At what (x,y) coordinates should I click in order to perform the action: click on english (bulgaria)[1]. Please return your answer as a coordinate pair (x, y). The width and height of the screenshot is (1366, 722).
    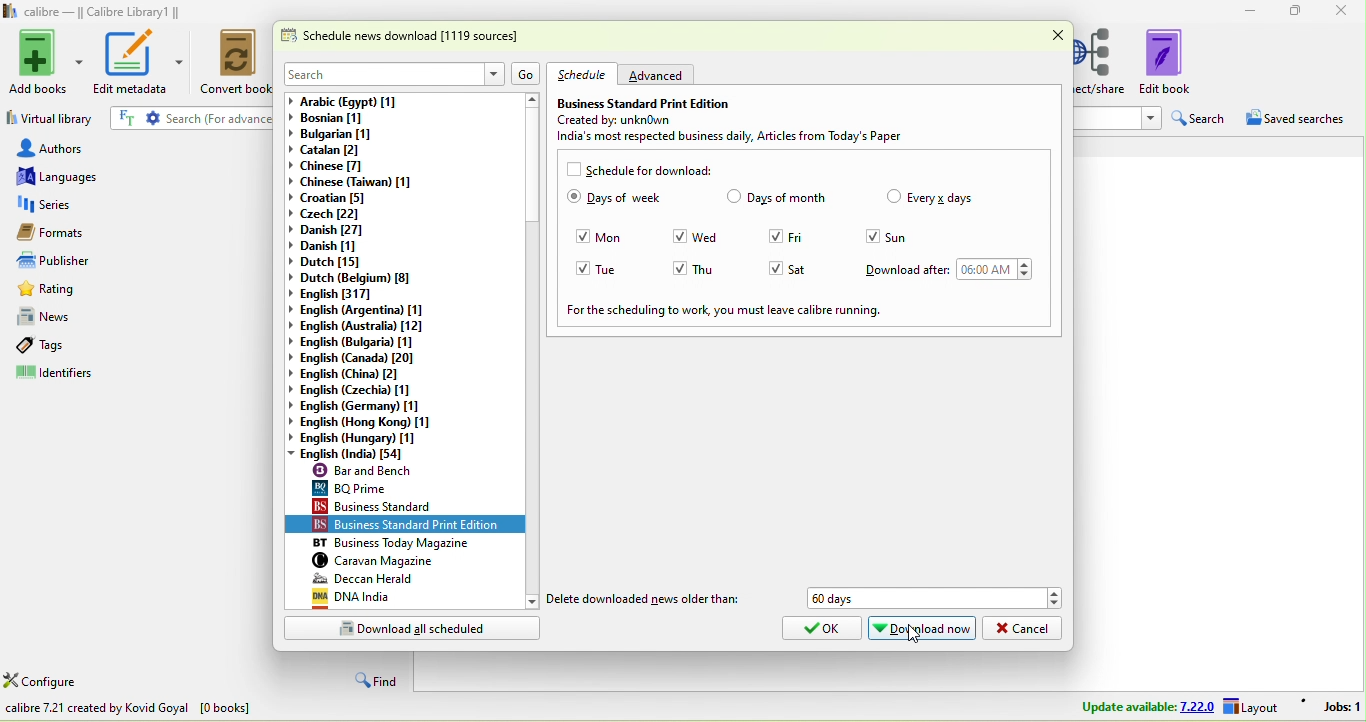
    Looking at the image, I should click on (364, 342).